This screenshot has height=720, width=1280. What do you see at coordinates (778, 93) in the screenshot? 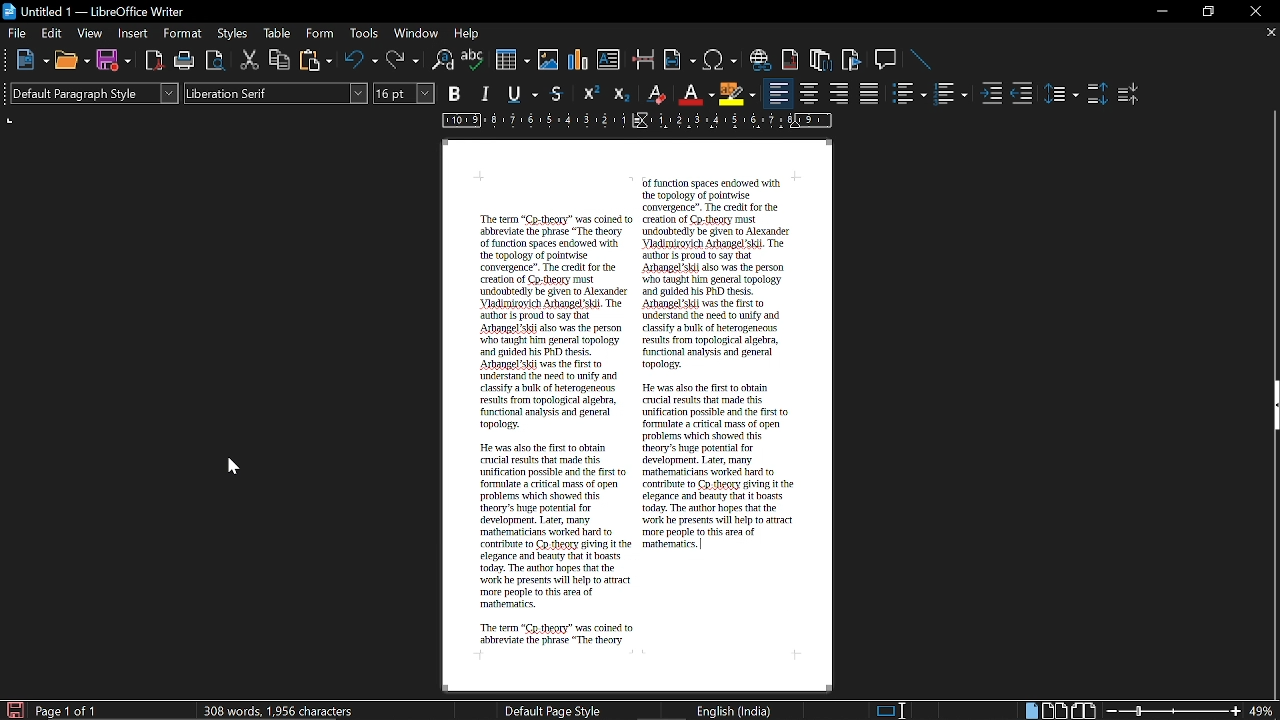
I see `Align left` at bounding box center [778, 93].